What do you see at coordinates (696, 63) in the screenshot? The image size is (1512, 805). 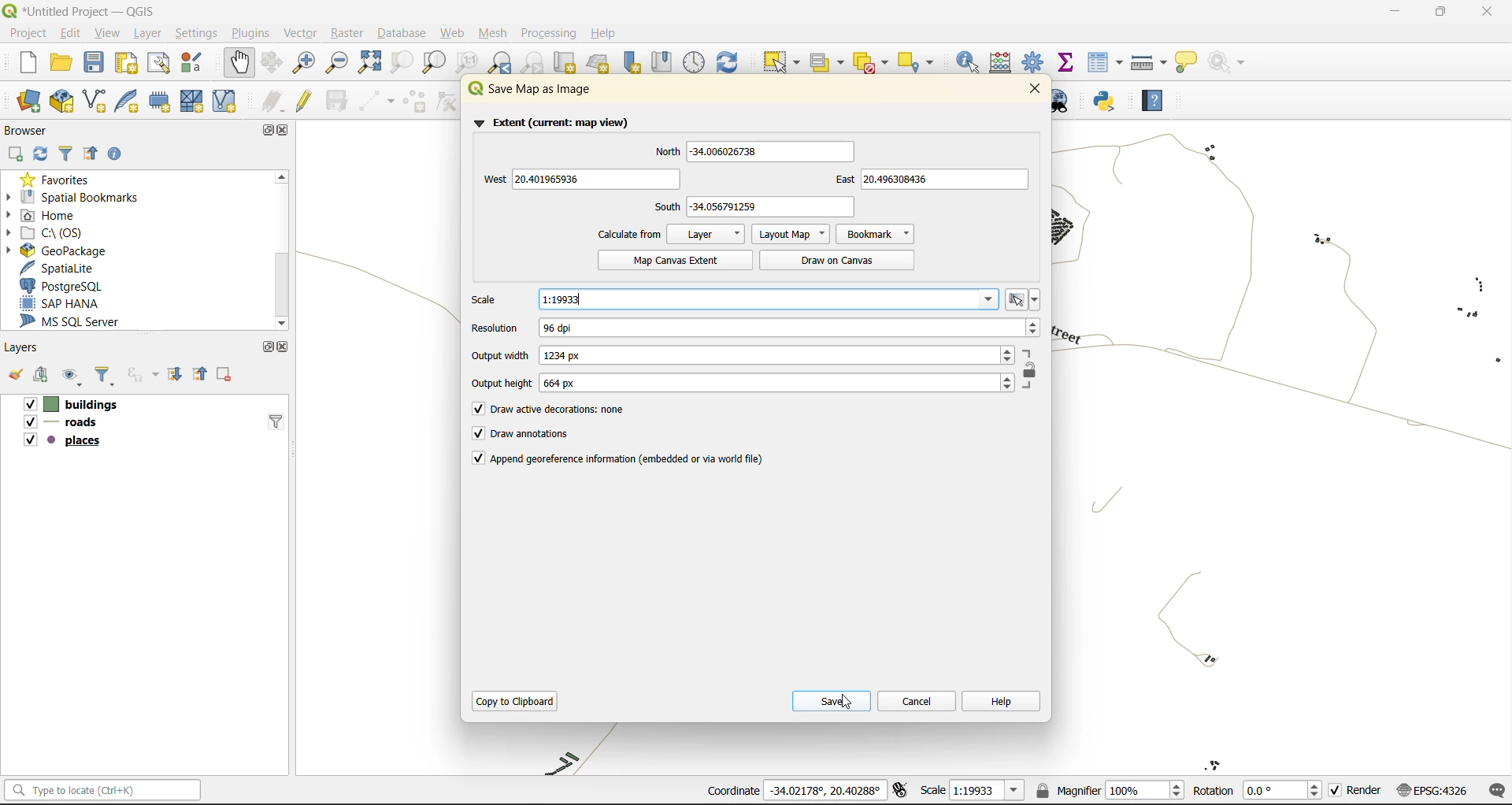 I see `control panel` at bounding box center [696, 63].